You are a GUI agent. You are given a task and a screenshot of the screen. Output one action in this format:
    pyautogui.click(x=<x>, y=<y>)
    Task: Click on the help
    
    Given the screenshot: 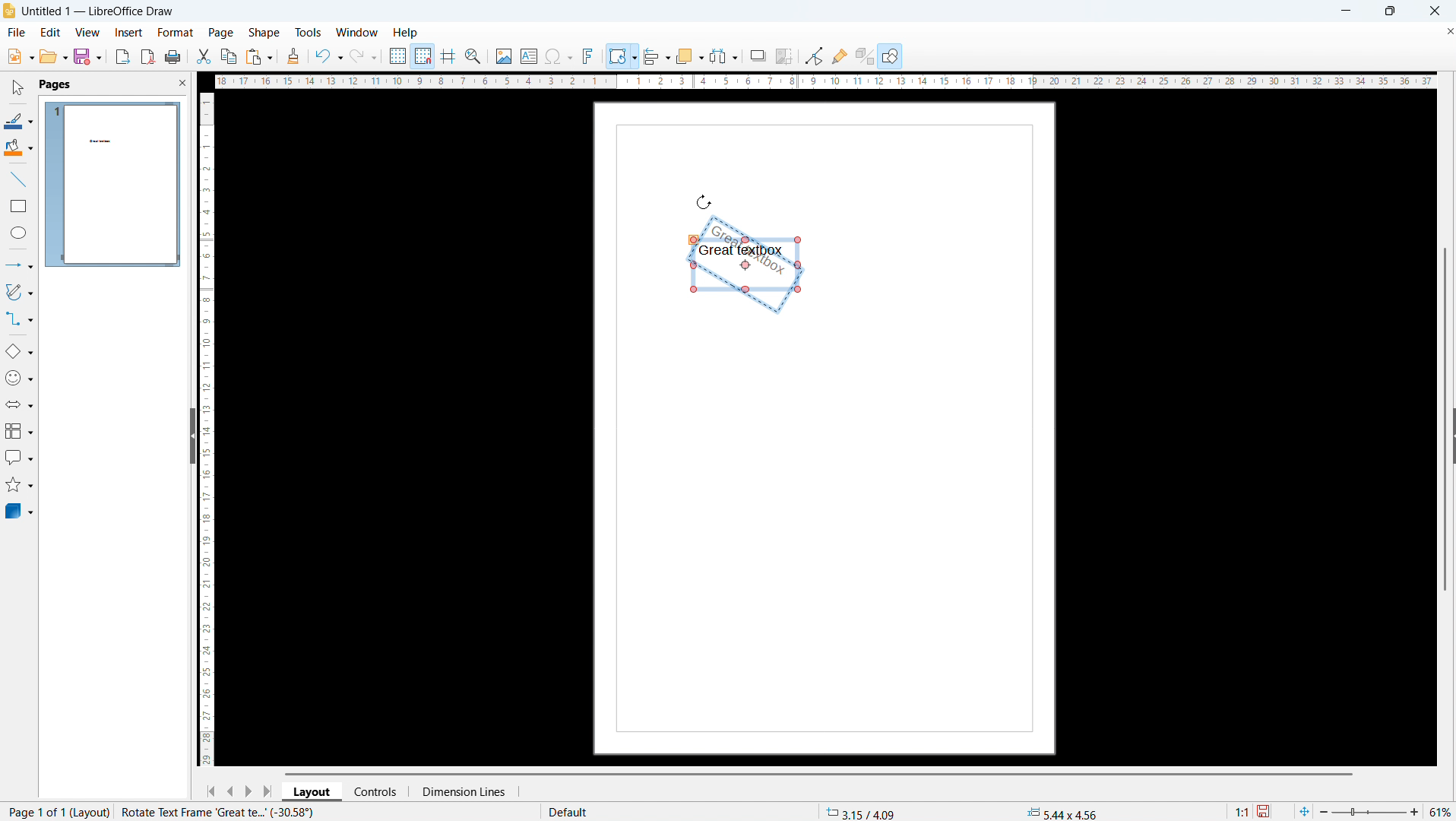 What is the action you would take?
    pyautogui.click(x=406, y=33)
    